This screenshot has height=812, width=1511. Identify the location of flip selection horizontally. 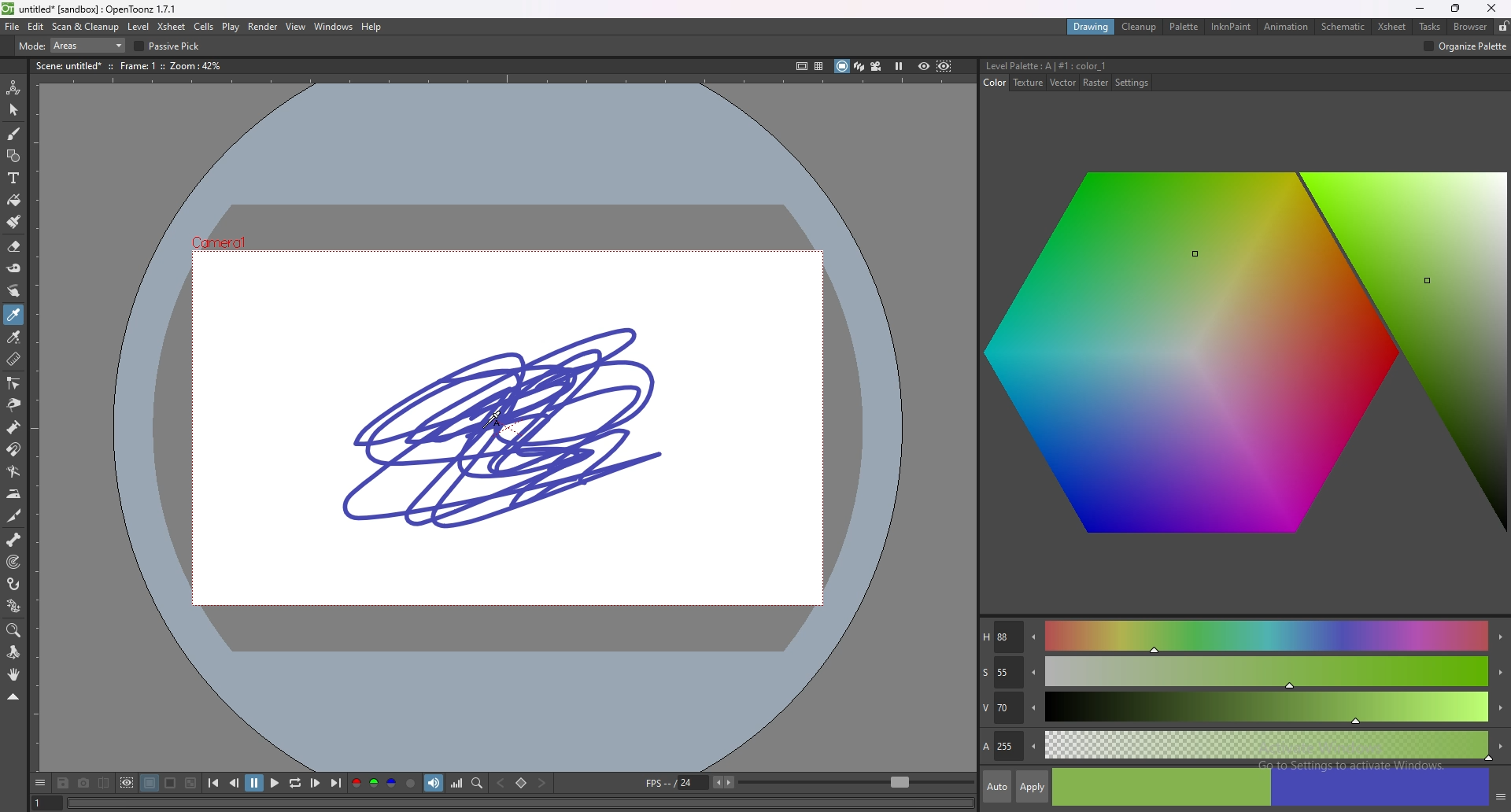
(624, 46).